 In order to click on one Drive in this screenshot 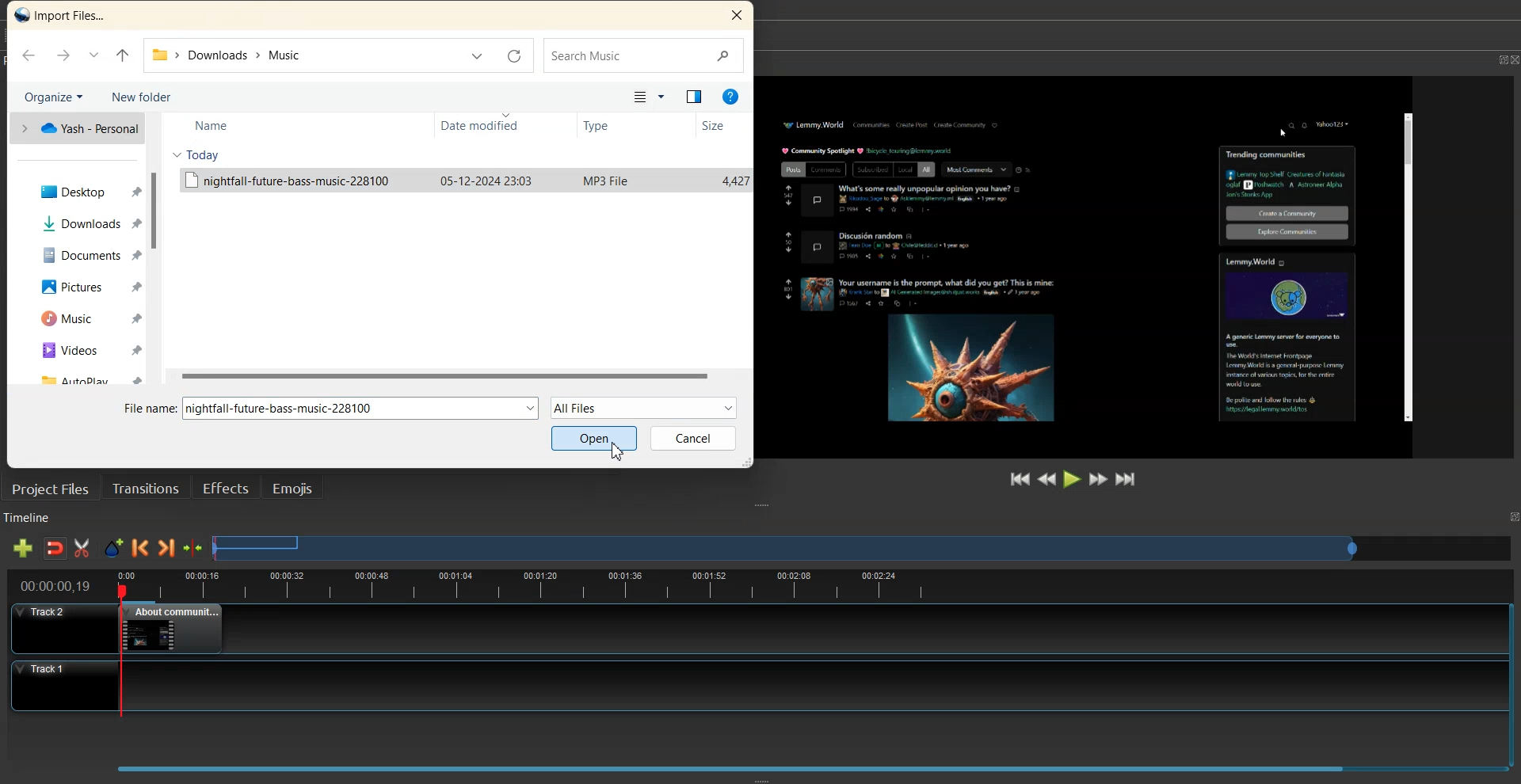, I will do `click(76, 128)`.